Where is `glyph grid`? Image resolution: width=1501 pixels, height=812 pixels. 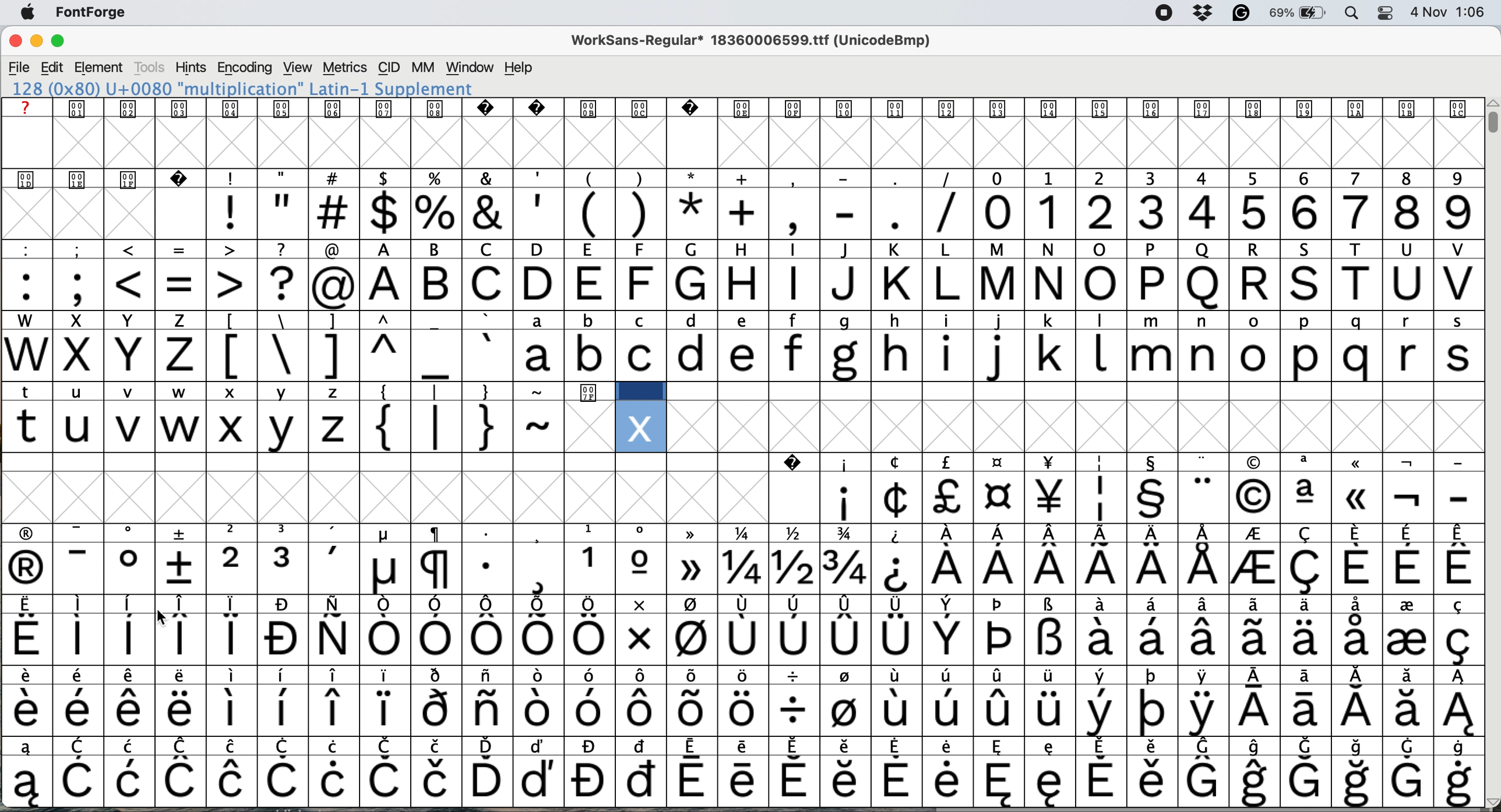
glyph grid is located at coordinates (1078, 428).